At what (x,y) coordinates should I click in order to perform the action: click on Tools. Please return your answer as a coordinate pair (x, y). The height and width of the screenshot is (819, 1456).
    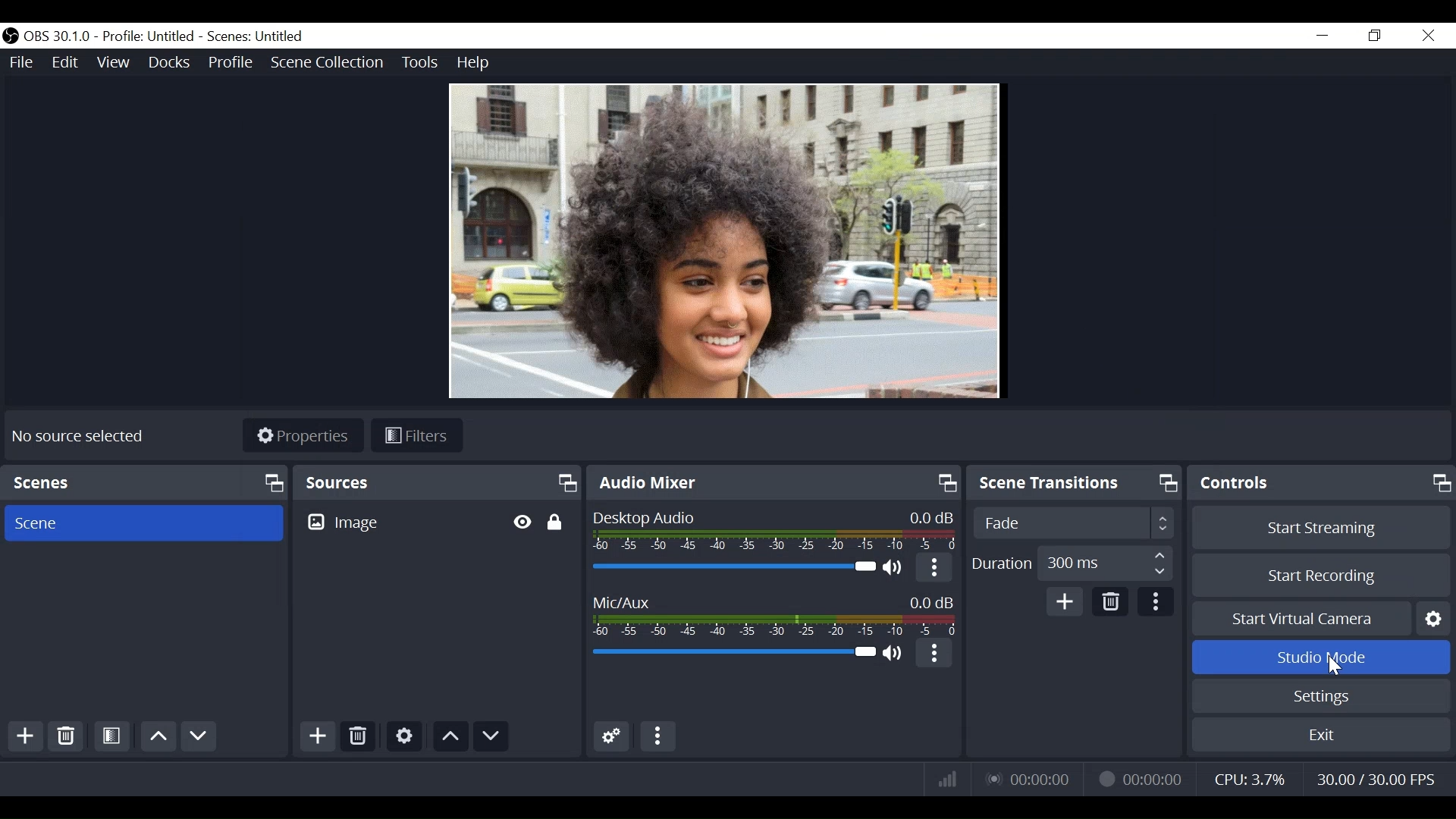
    Looking at the image, I should click on (420, 64).